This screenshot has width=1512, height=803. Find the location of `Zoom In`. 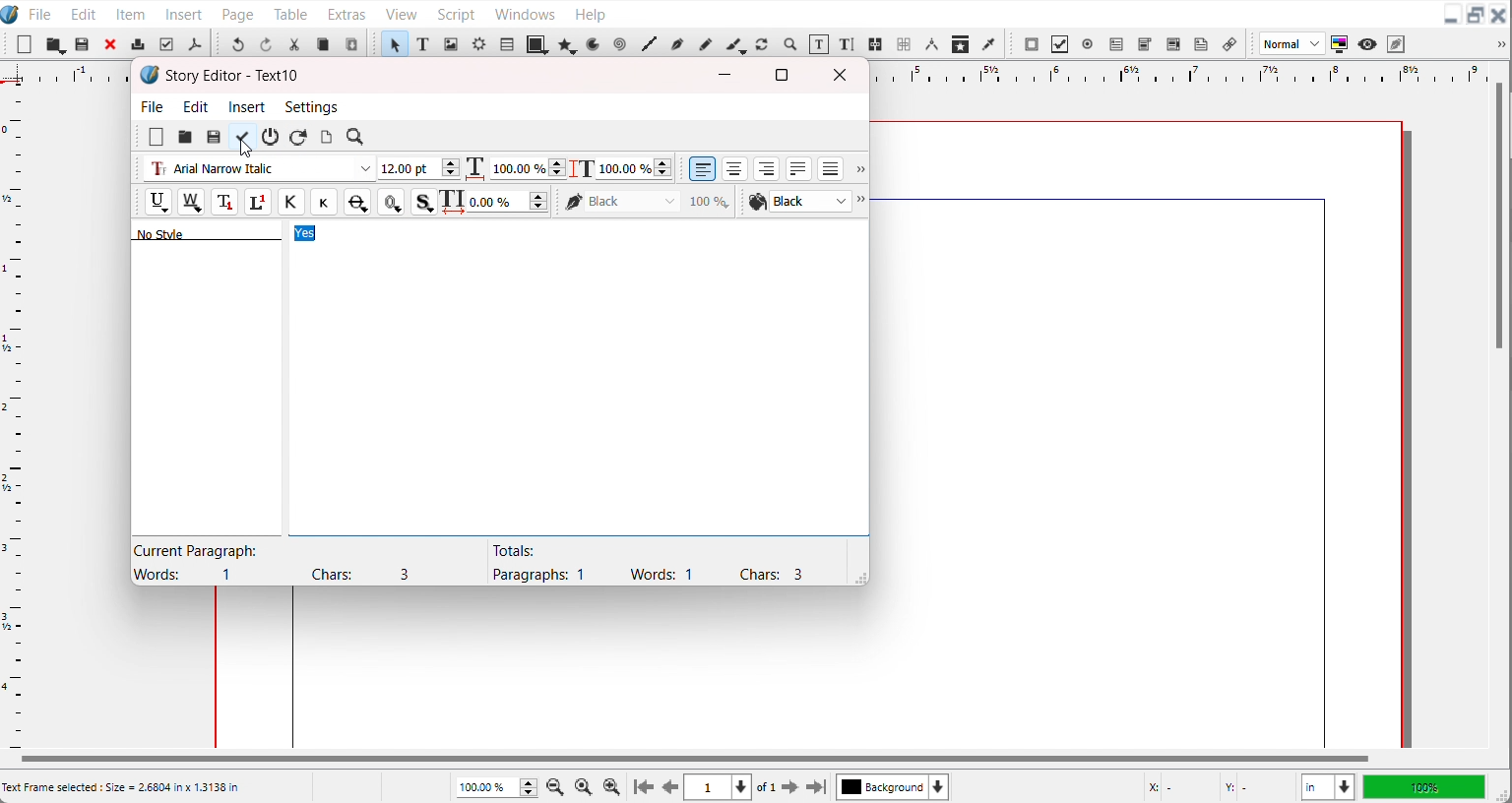

Zoom In is located at coordinates (612, 786).